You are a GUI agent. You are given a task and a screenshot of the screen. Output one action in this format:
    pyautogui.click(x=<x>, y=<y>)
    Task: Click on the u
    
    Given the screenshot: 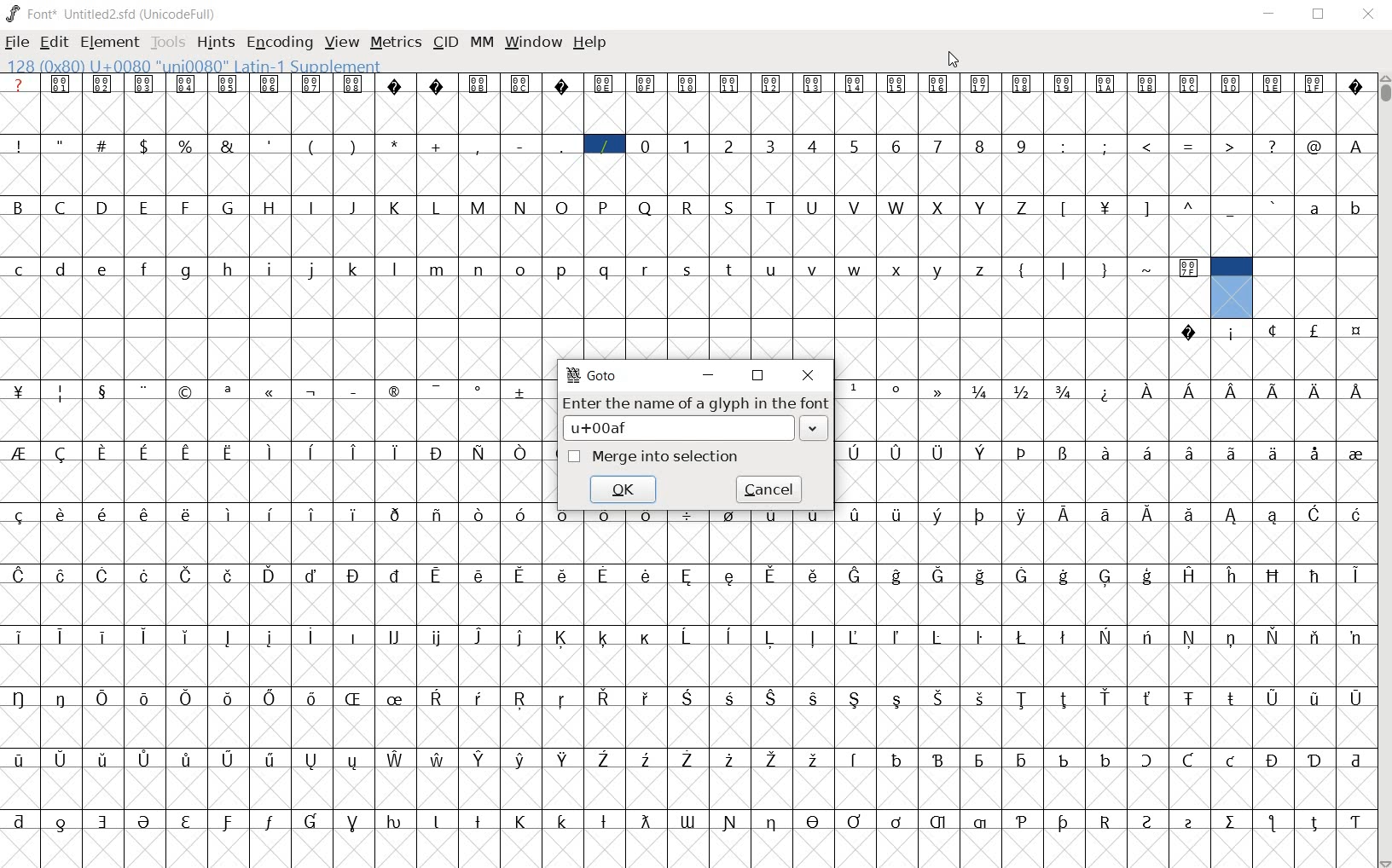 What is the action you would take?
    pyautogui.click(x=774, y=270)
    